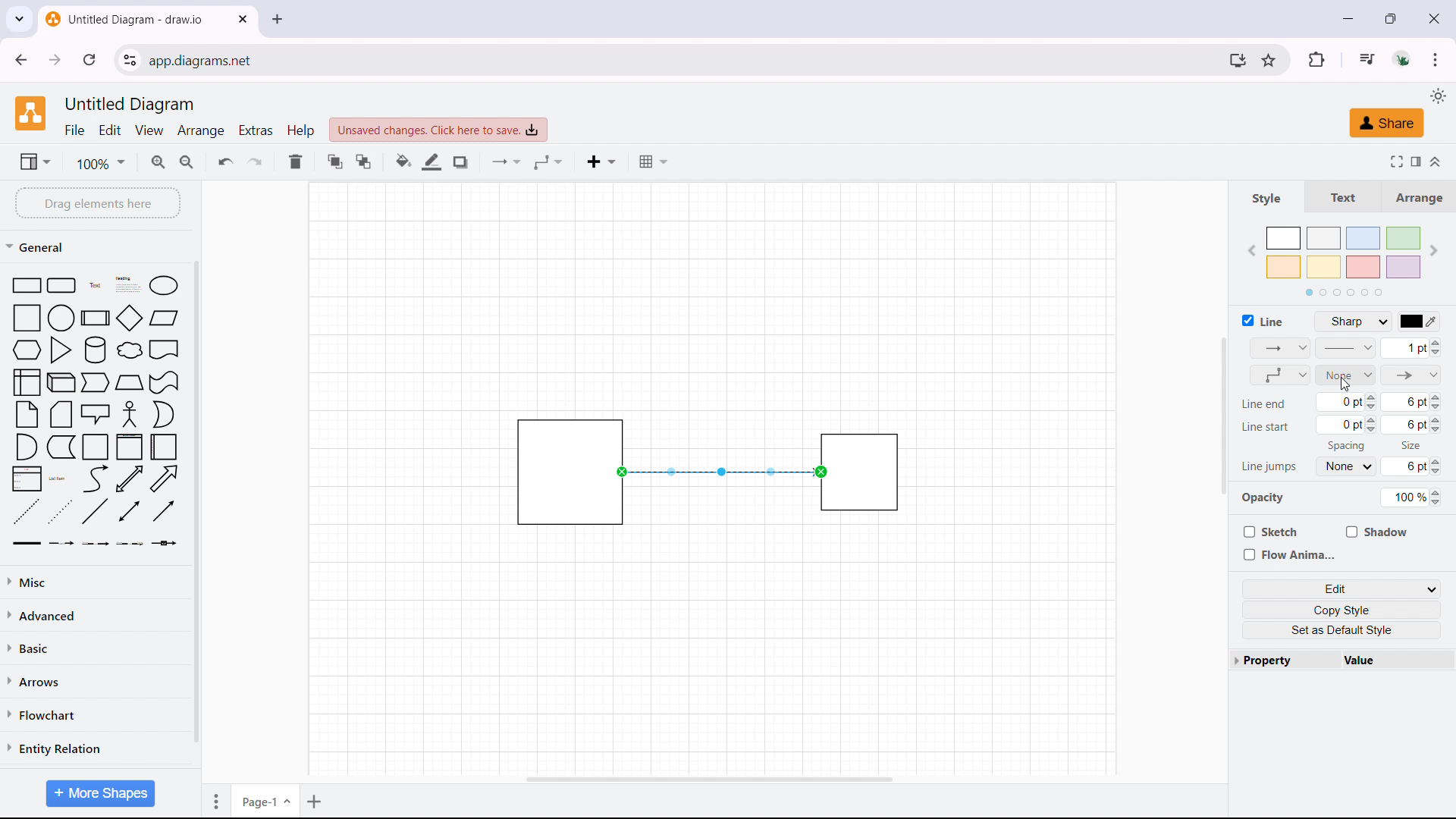  Describe the element at coordinates (202, 130) in the screenshot. I see `arrange` at that location.